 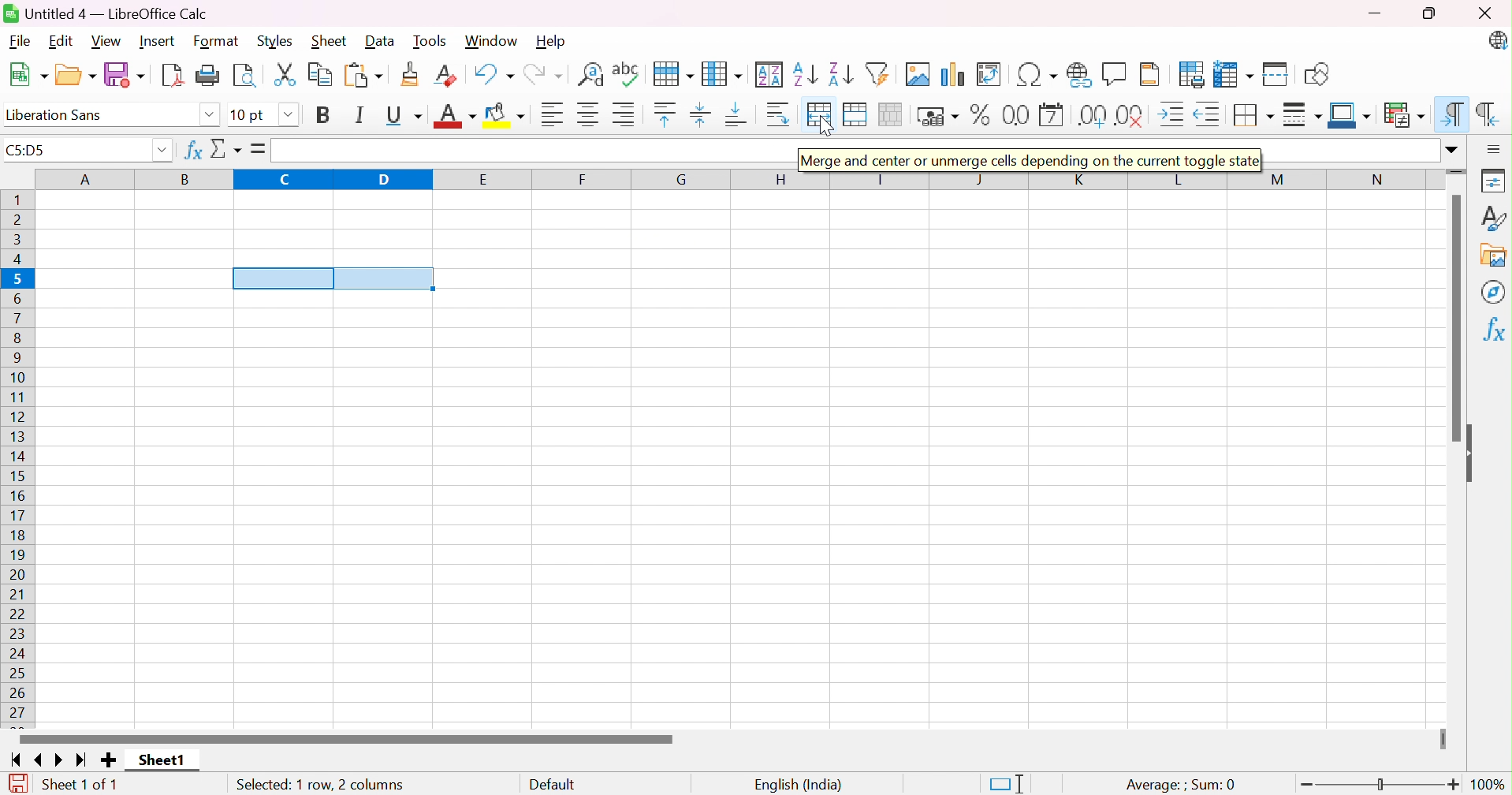 I want to click on Borders, so click(x=1254, y=114).